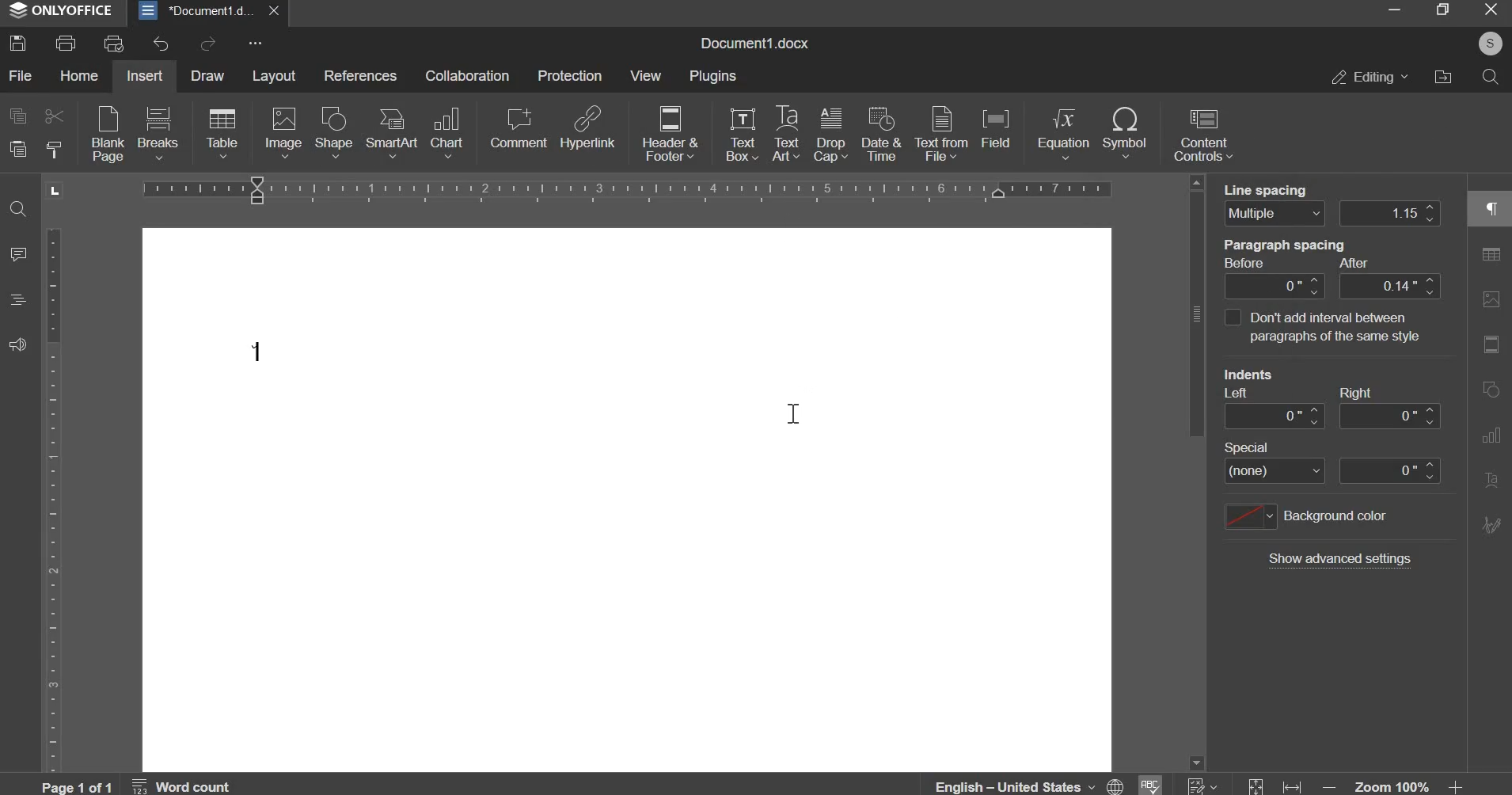 The image size is (1512, 795). Describe the element at coordinates (1124, 131) in the screenshot. I see `symbol` at that location.